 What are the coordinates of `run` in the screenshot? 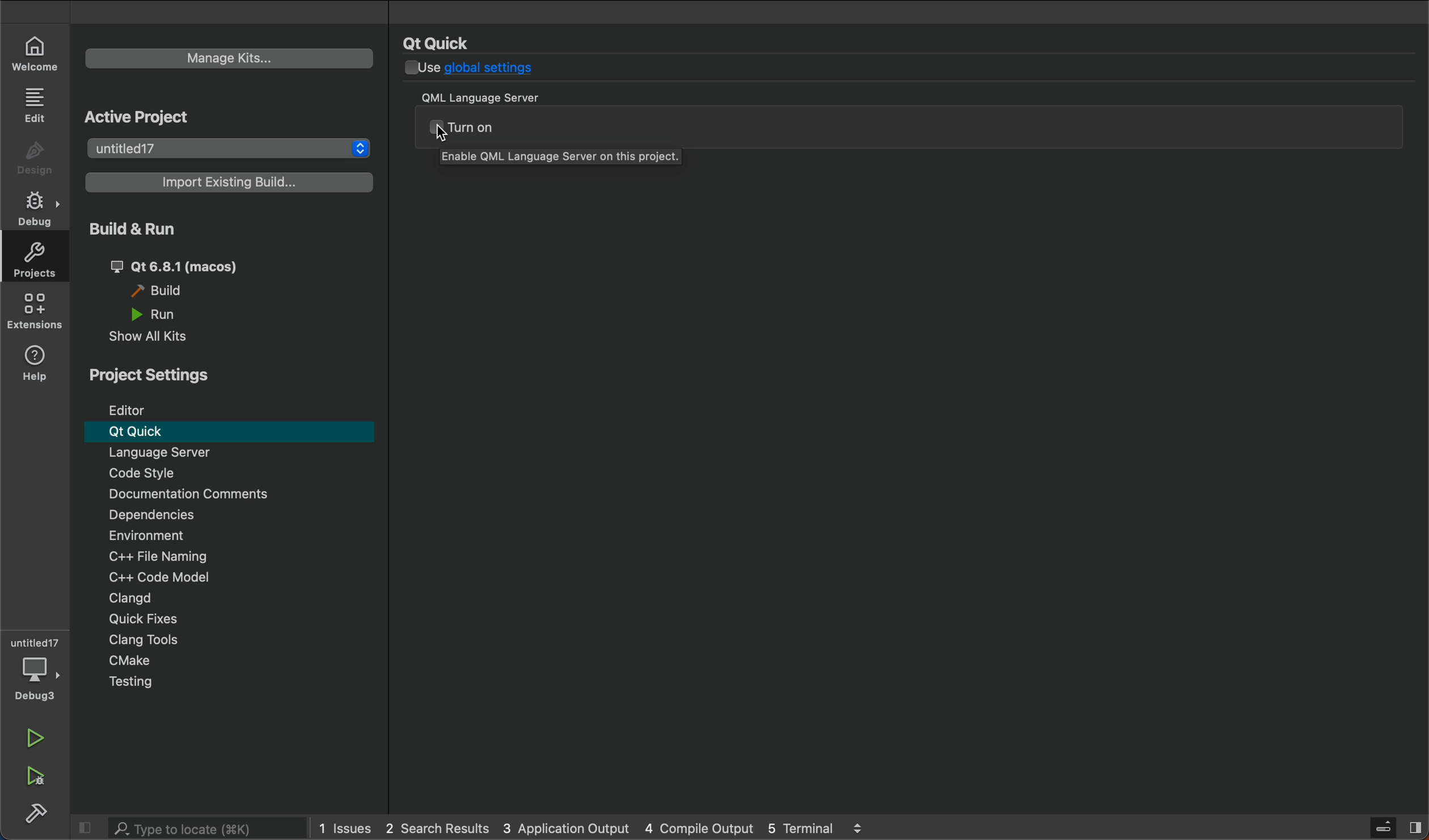 It's located at (159, 315).